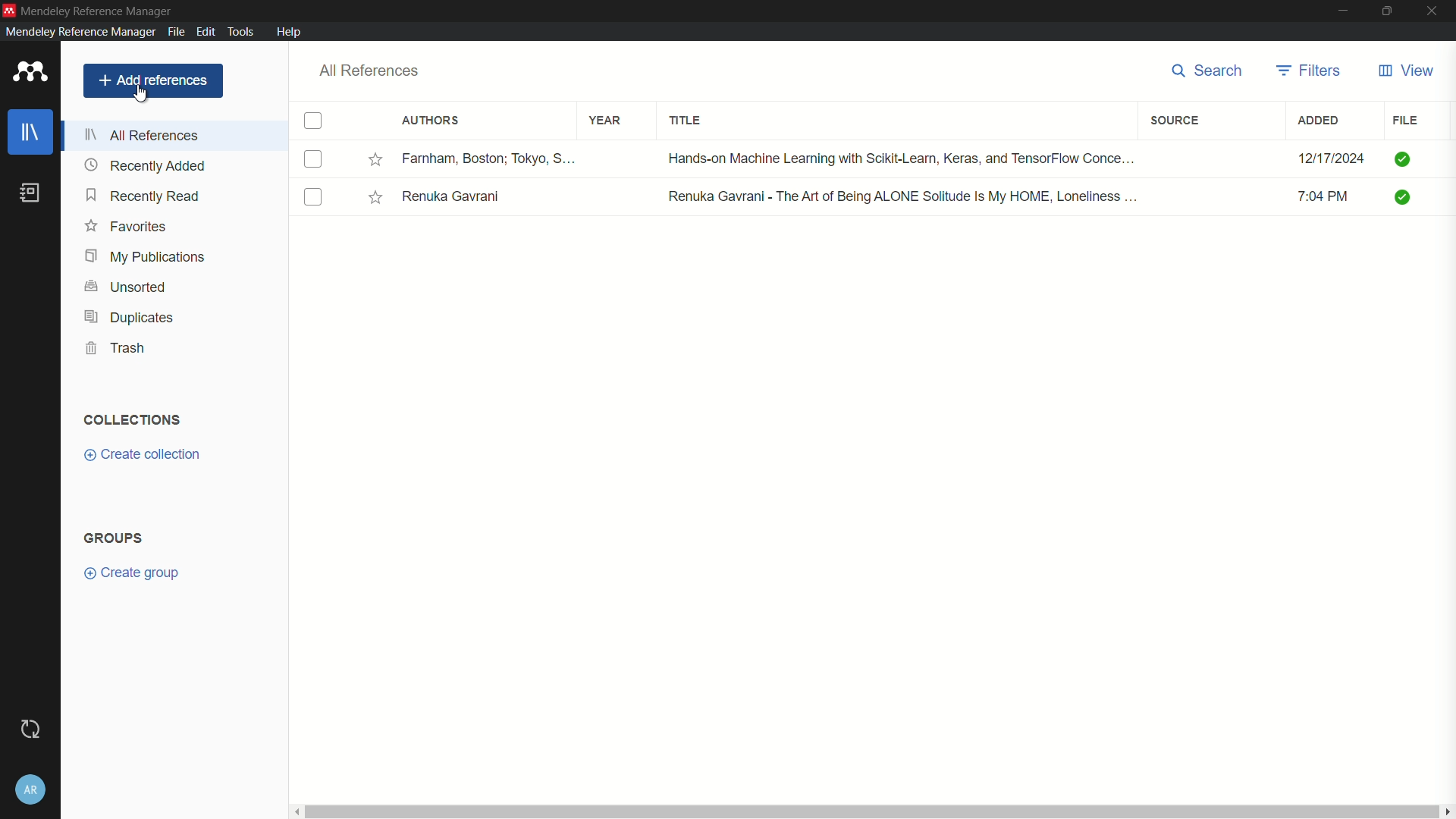  What do you see at coordinates (369, 71) in the screenshot?
I see `all references` at bounding box center [369, 71].